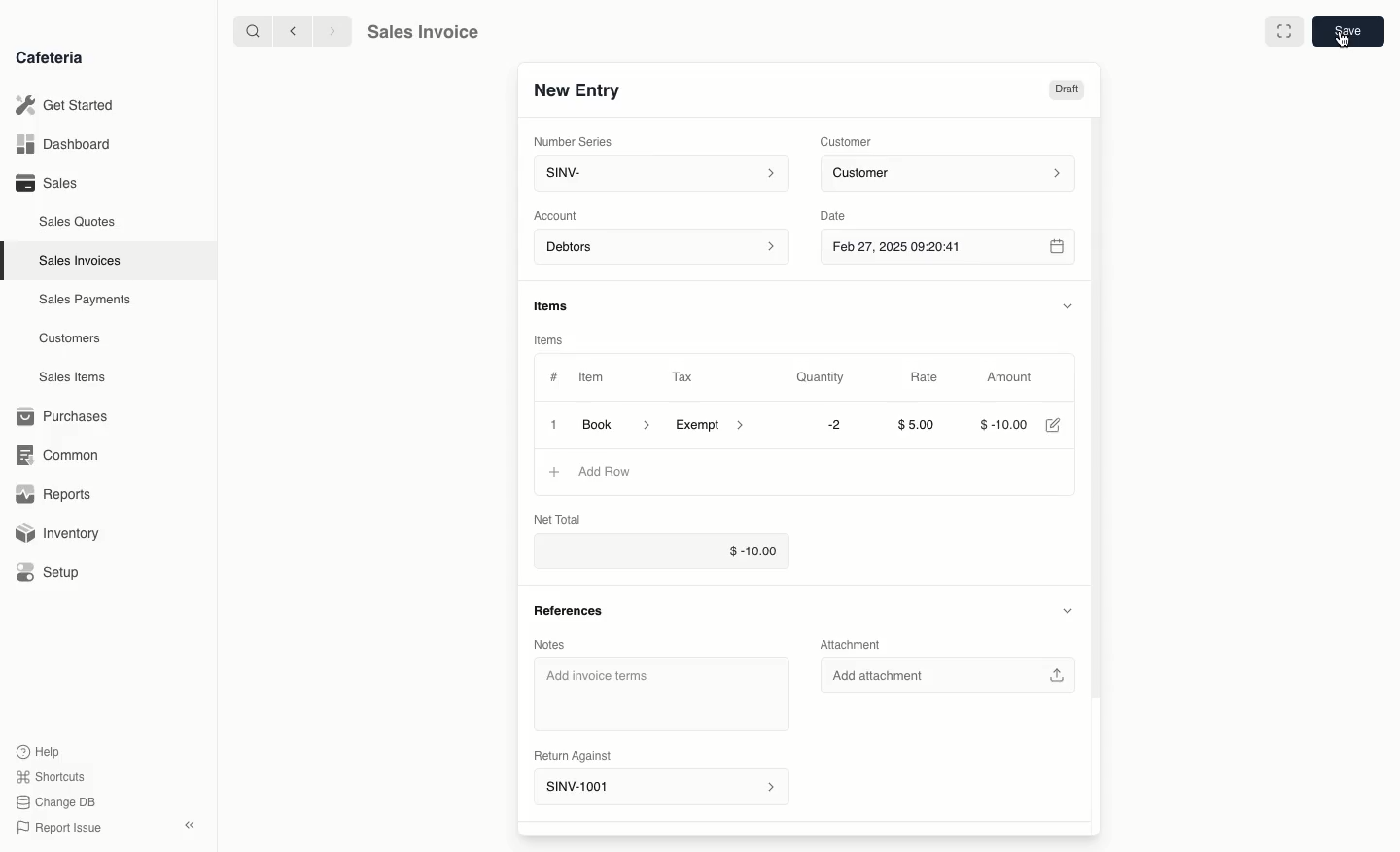 This screenshot has width=1400, height=852. Describe the element at coordinates (53, 492) in the screenshot. I see `Reports` at that location.